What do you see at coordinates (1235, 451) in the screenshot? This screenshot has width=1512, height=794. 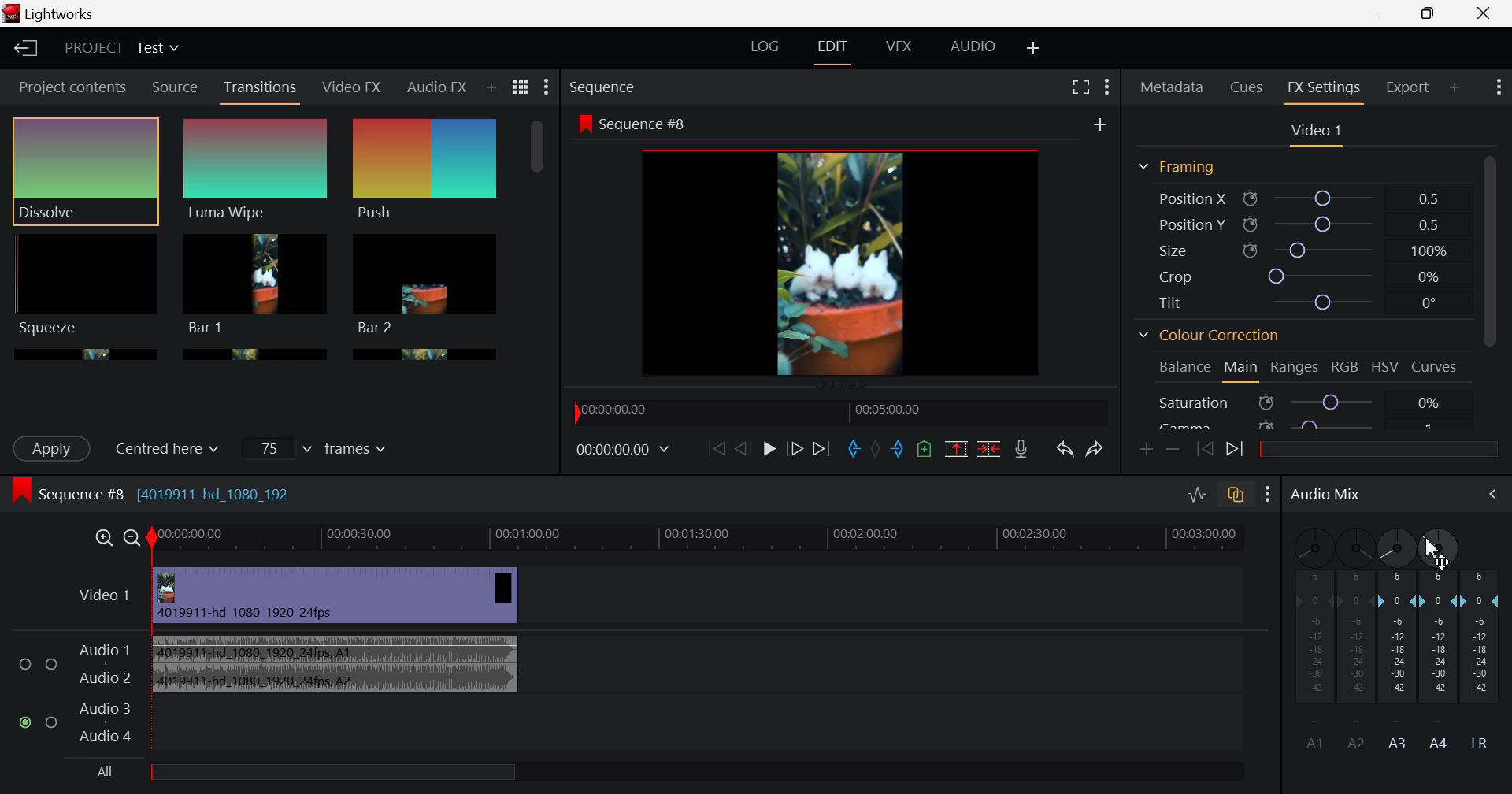 I see `Next keyframe` at bounding box center [1235, 451].